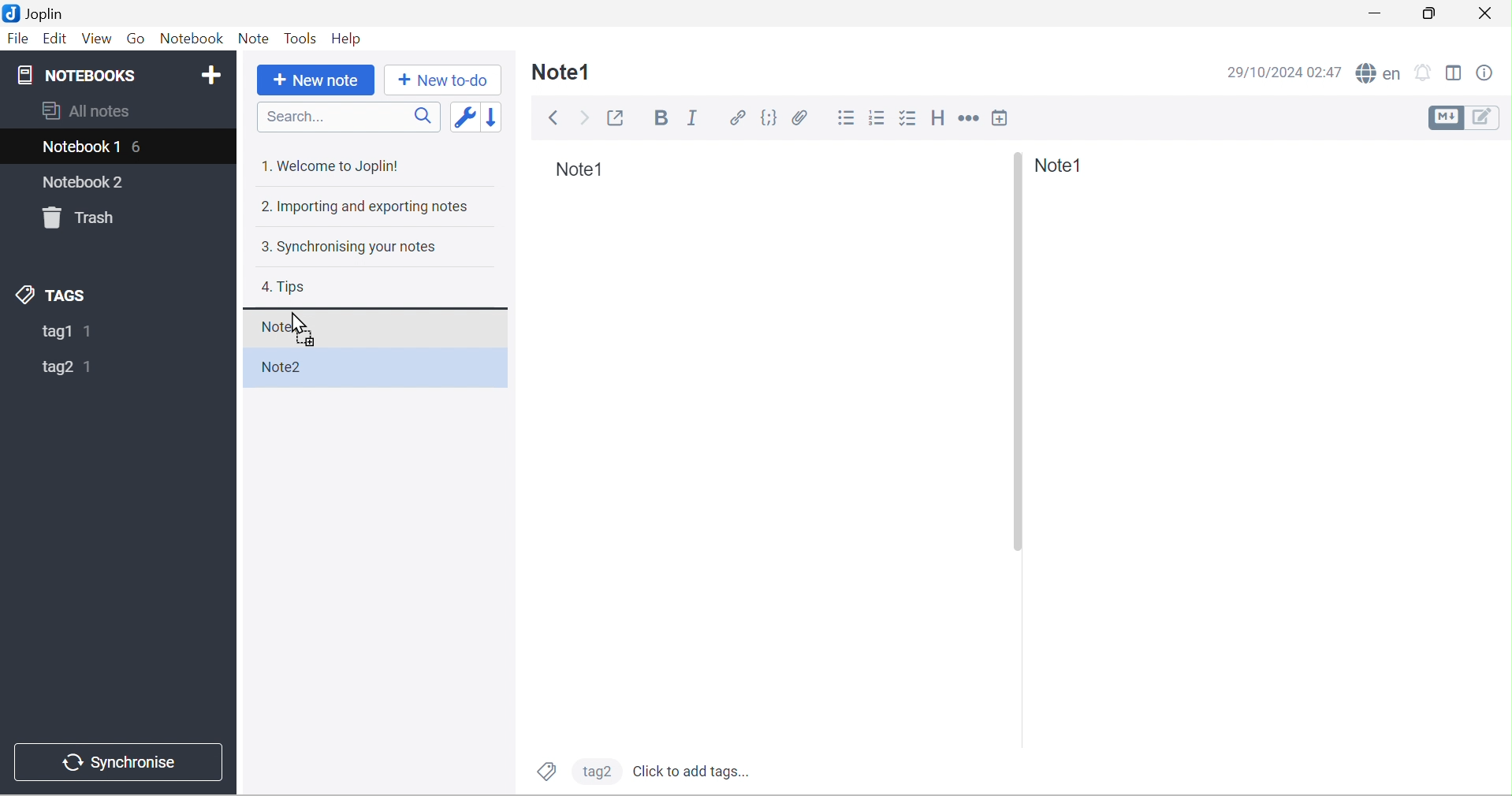  Describe the element at coordinates (492, 117) in the screenshot. I see `Reverse sort order` at that location.